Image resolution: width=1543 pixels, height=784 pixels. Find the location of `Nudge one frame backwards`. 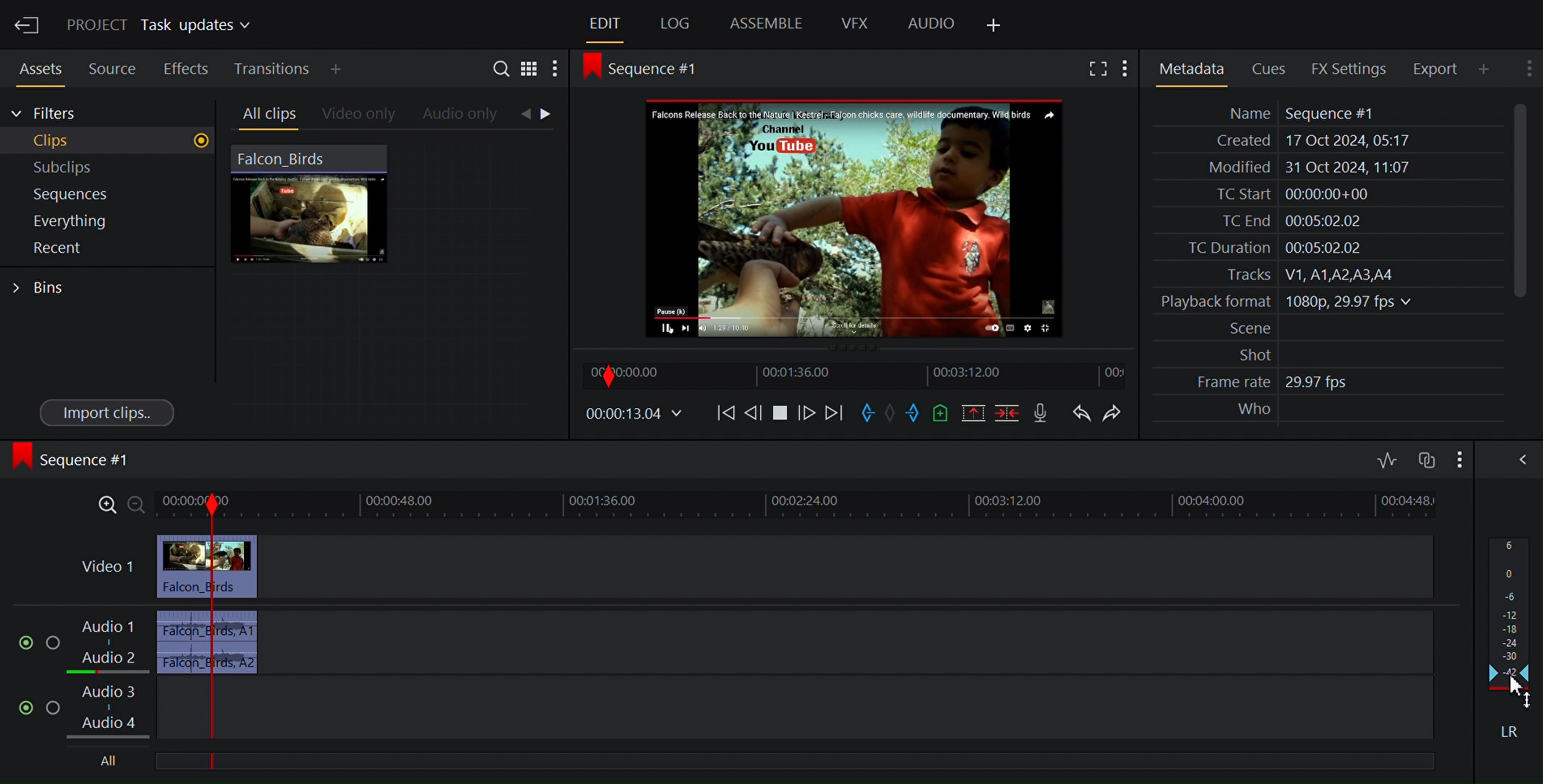

Nudge one frame backwards is located at coordinates (754, 415).